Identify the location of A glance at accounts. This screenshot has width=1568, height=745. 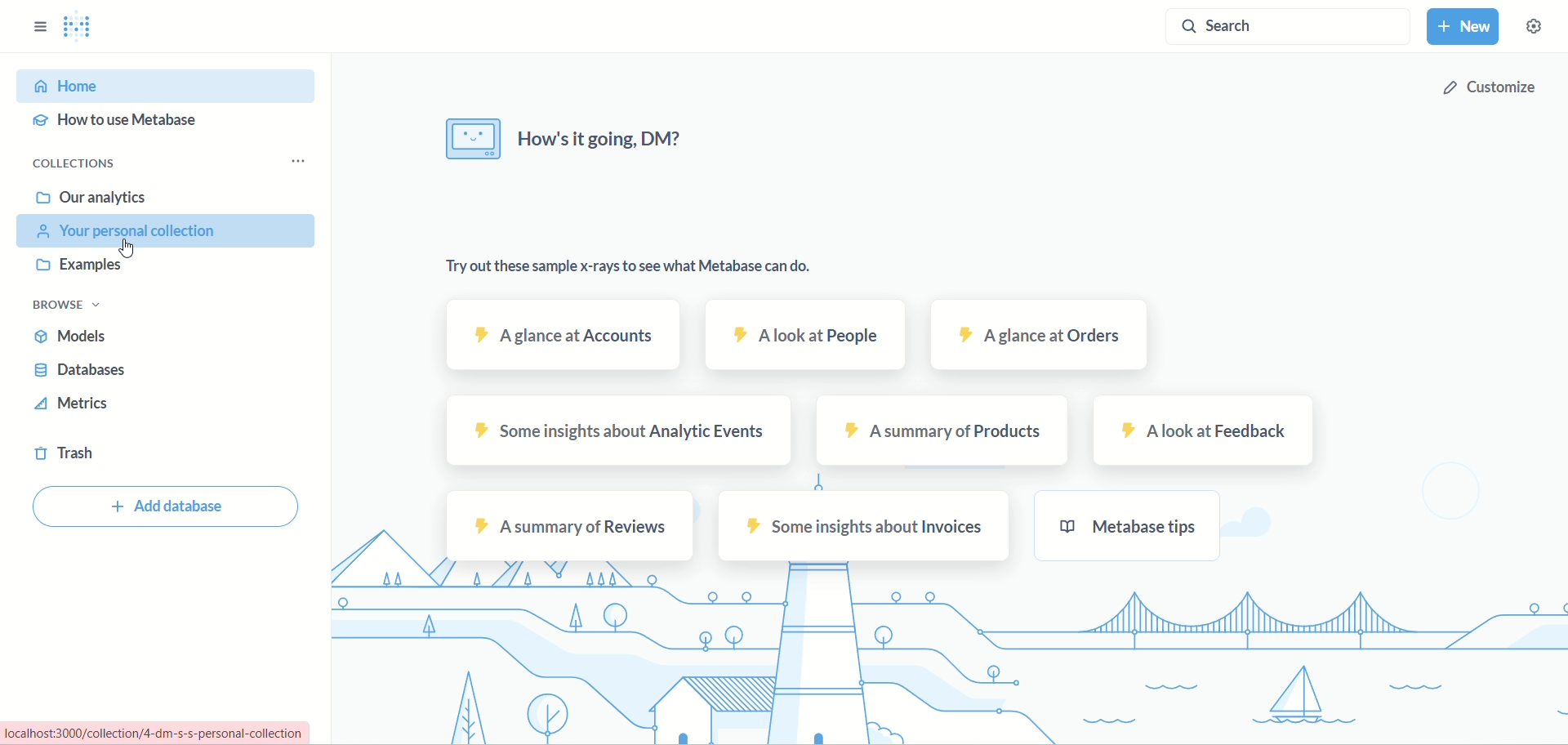
(557, 337).